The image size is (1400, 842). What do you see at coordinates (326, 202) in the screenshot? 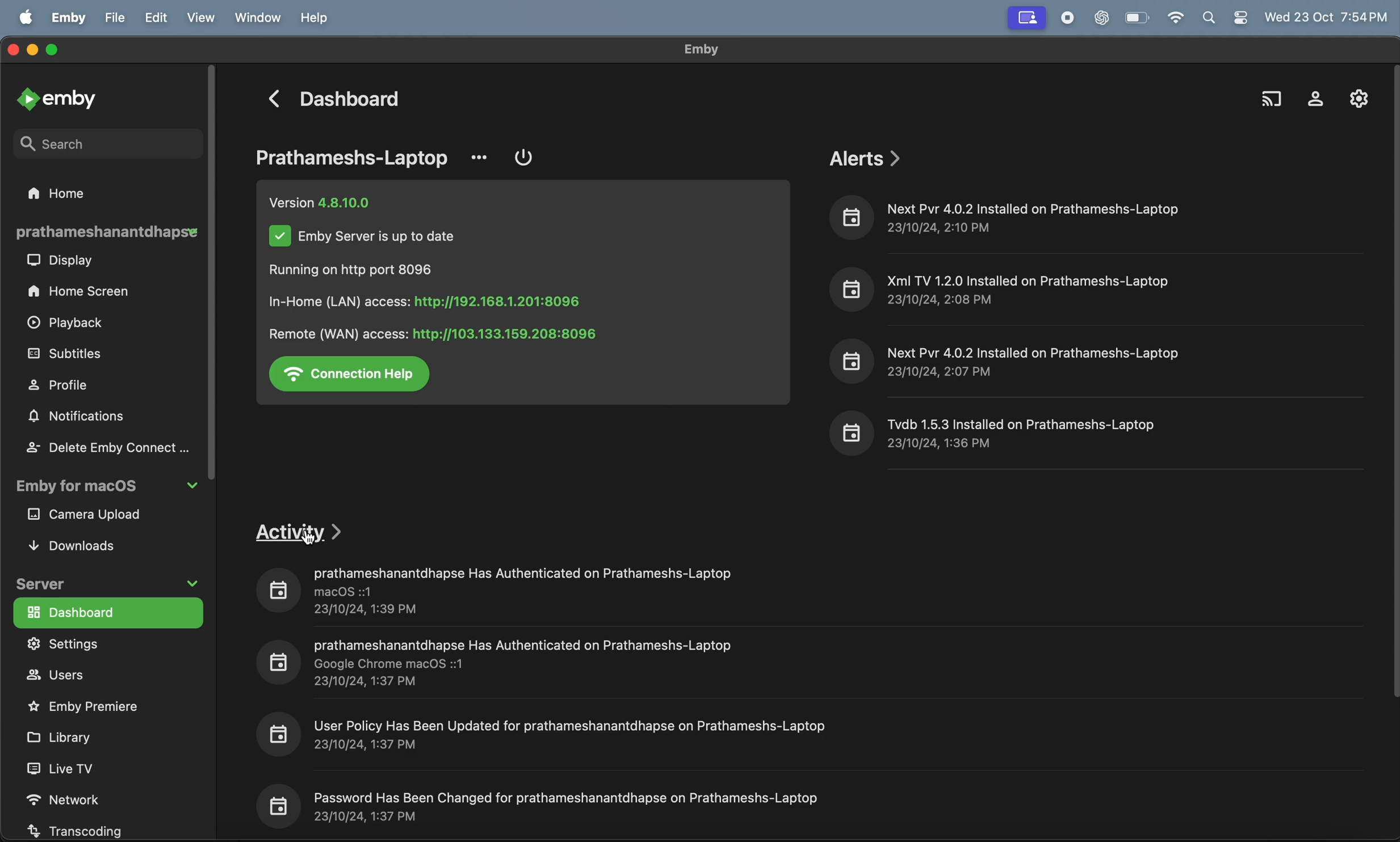
I see `Version 4.8.10.0` at bounding box center [326, 202].